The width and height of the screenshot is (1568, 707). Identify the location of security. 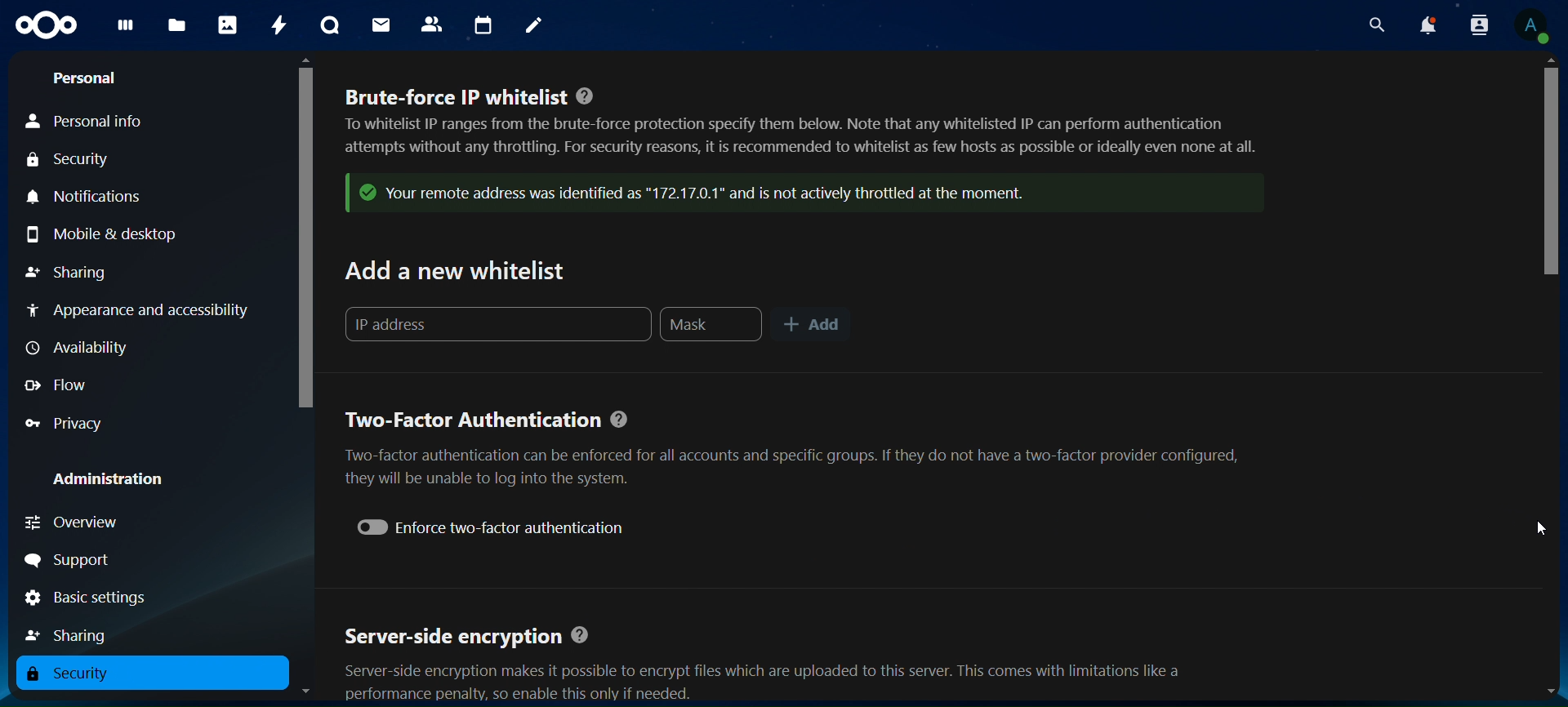
(80, 674).